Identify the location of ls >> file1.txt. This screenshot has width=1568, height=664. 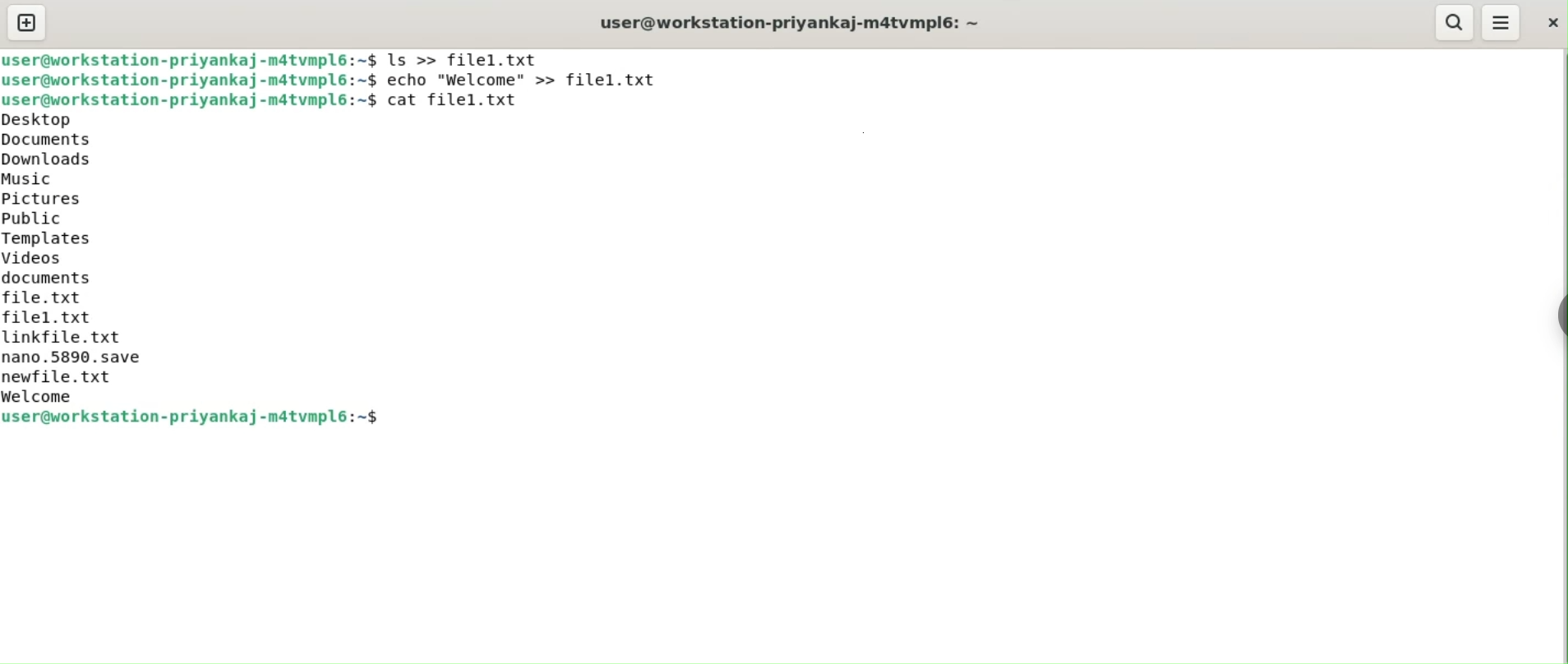
(466, 60).